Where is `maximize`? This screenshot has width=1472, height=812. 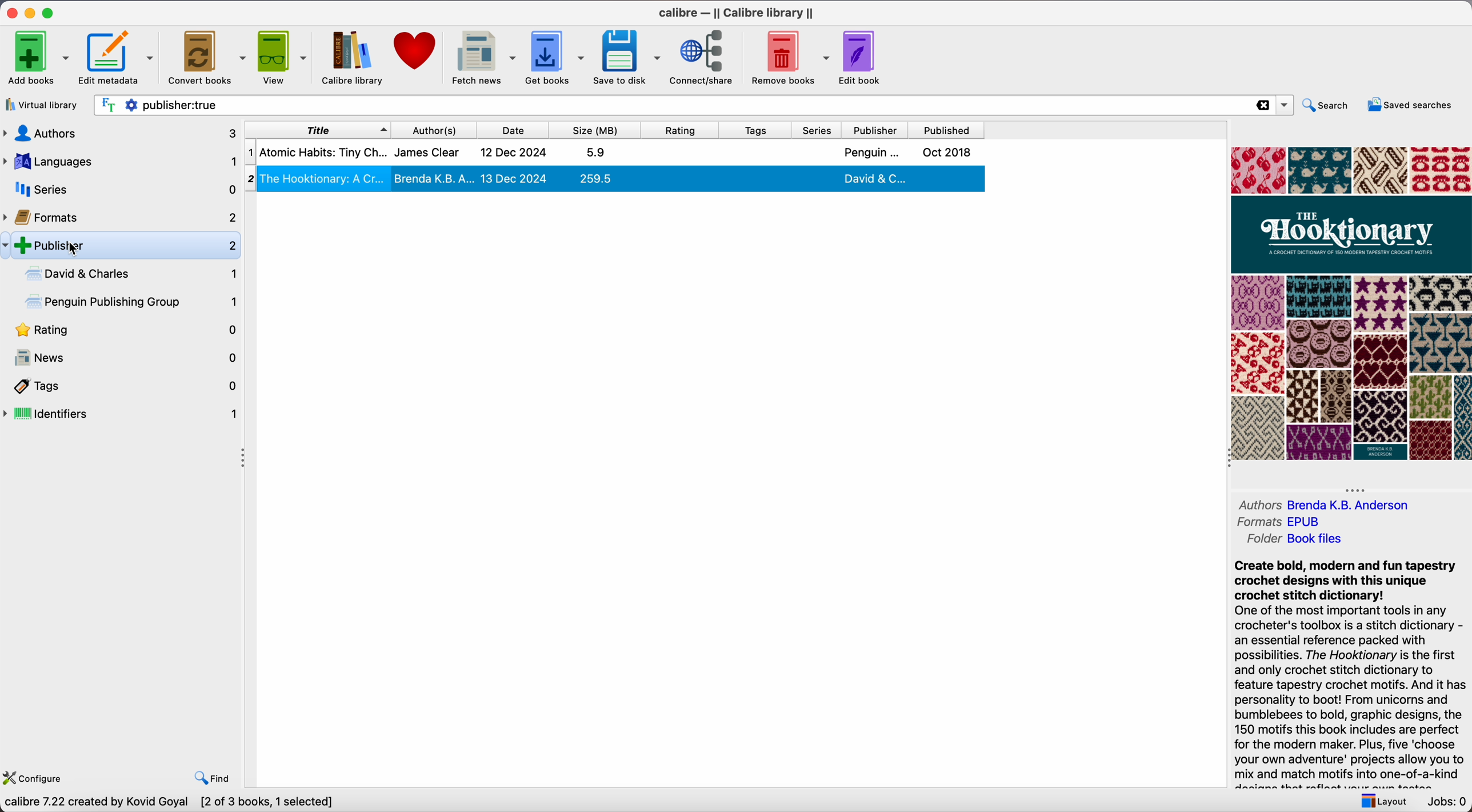
maximize is located at coordinates (50, 12).